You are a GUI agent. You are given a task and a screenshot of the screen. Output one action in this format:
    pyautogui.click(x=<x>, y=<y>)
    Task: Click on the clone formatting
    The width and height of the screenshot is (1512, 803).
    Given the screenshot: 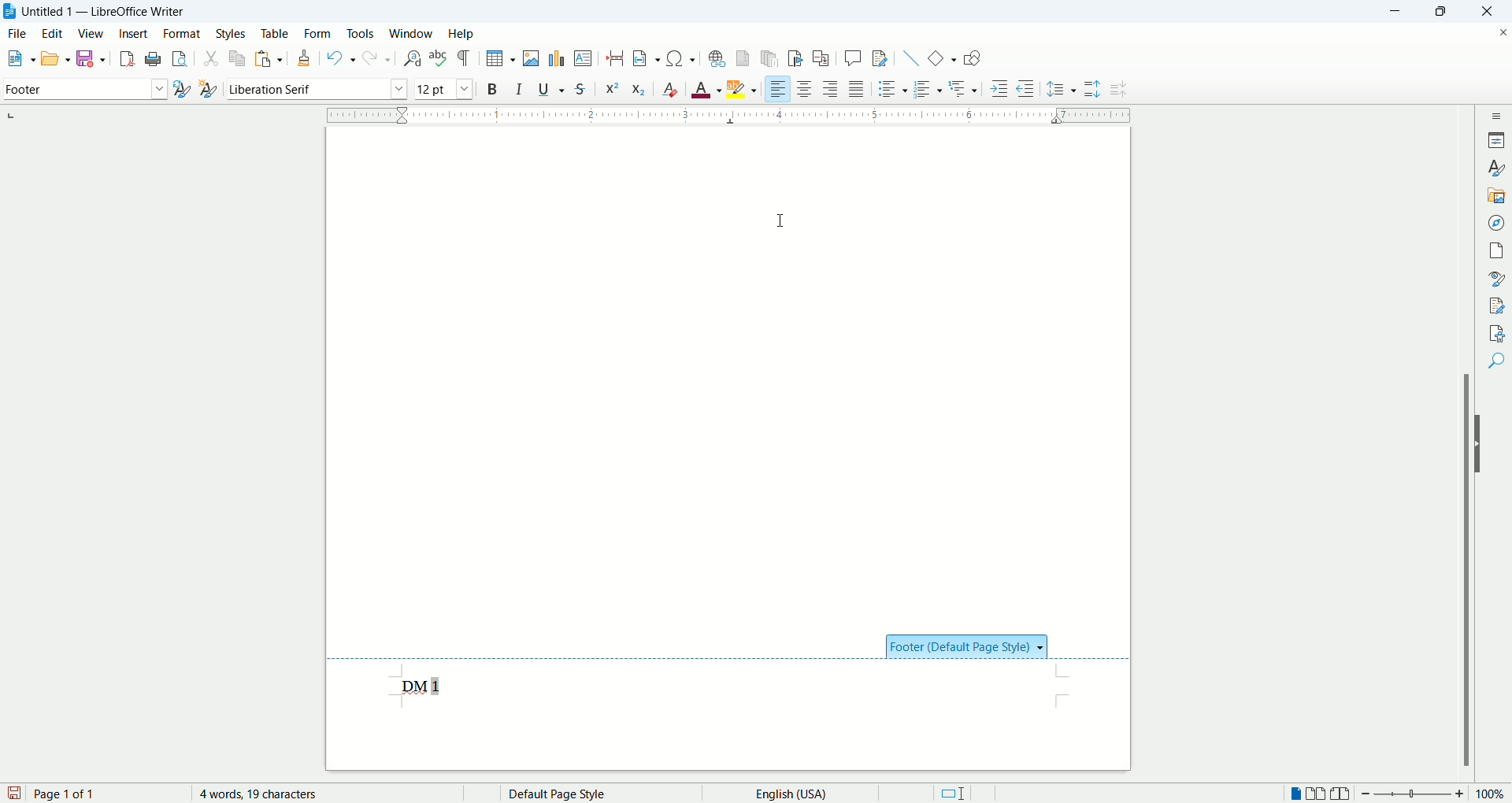 What is the action you would take?
    pyautogui.click(x=306, y=59)
    